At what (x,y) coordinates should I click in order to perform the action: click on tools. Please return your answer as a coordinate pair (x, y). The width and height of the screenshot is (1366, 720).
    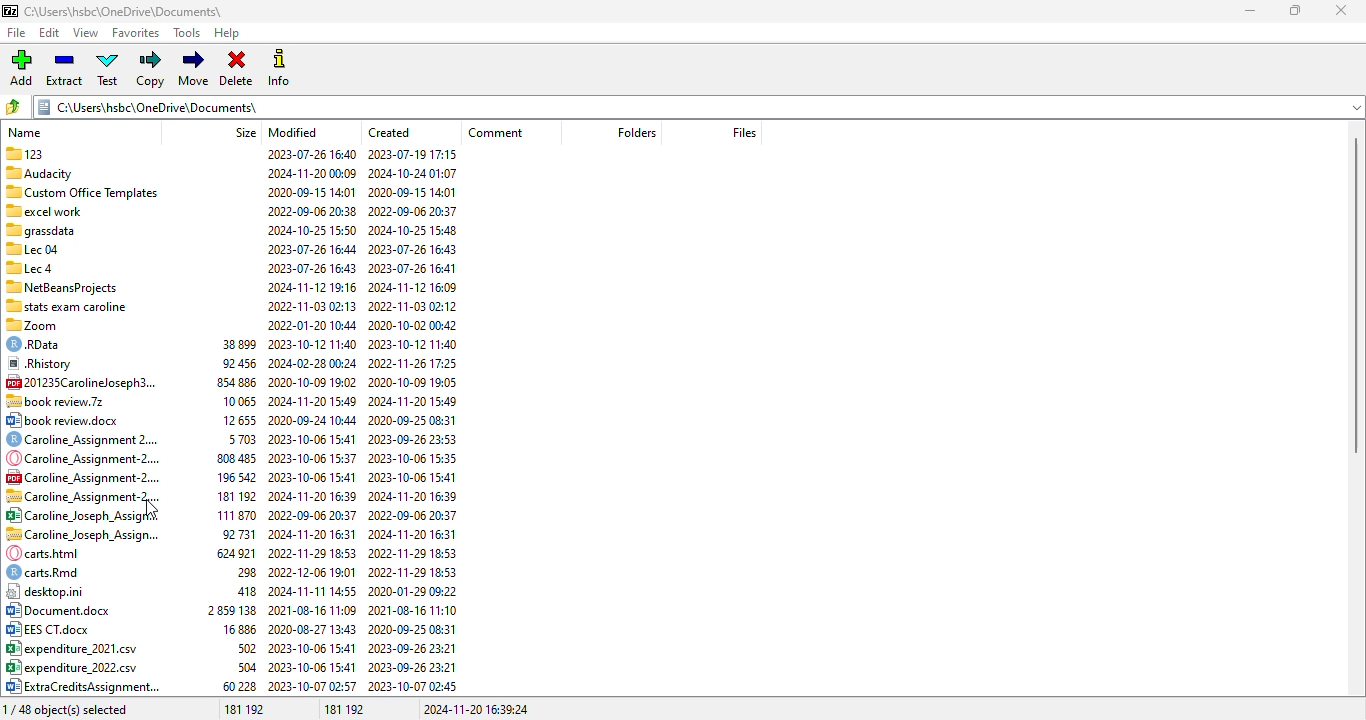
    Looking at the image, I should click on (188, 33).